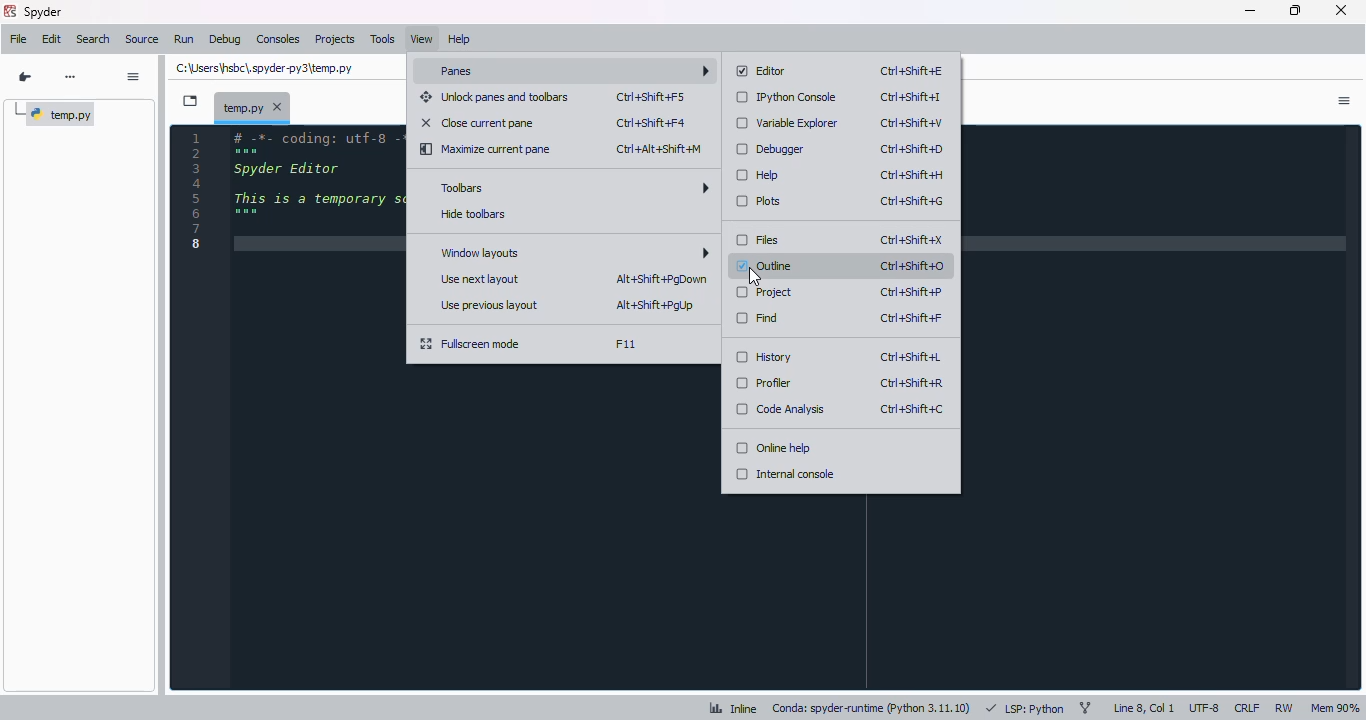 Image resolution: width=1366 pixels, height=720 pixels. I want to click on tools, so click(383, 39).